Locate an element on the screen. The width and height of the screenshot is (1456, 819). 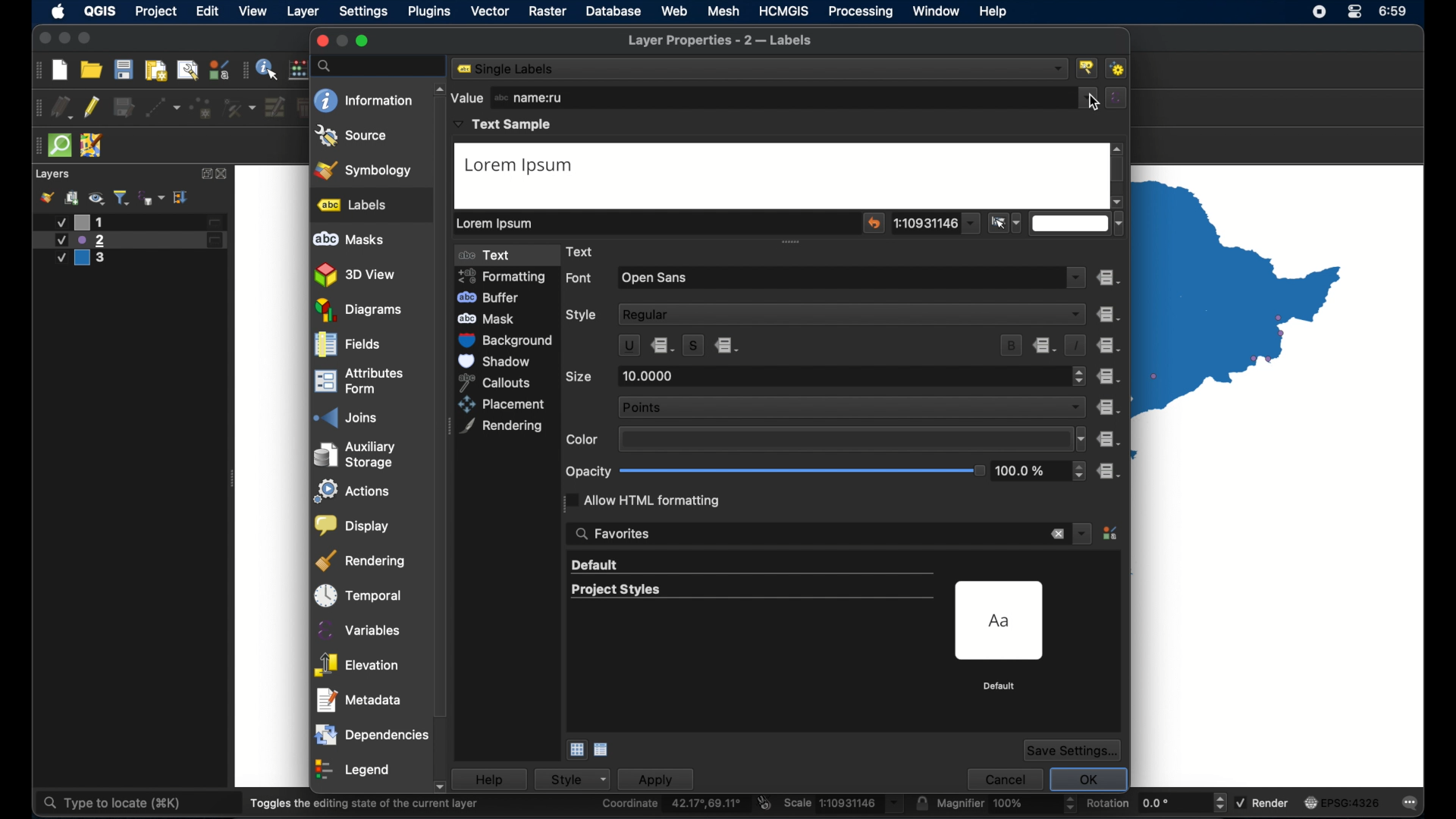
10.0000 is located at coordinates (651, 376).